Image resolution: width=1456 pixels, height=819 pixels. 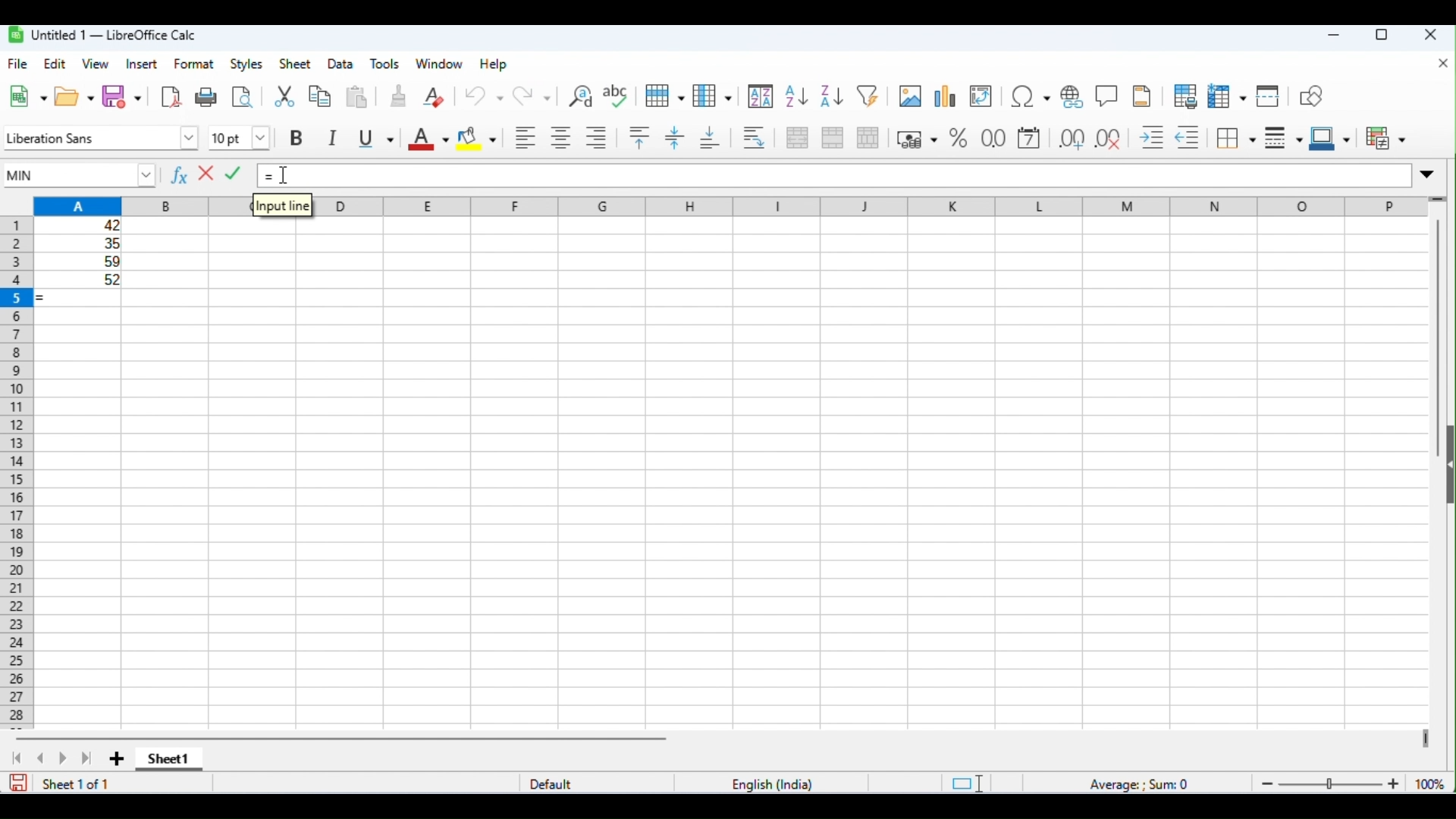 I want to click on row numbers, so click(x=17, y=472).